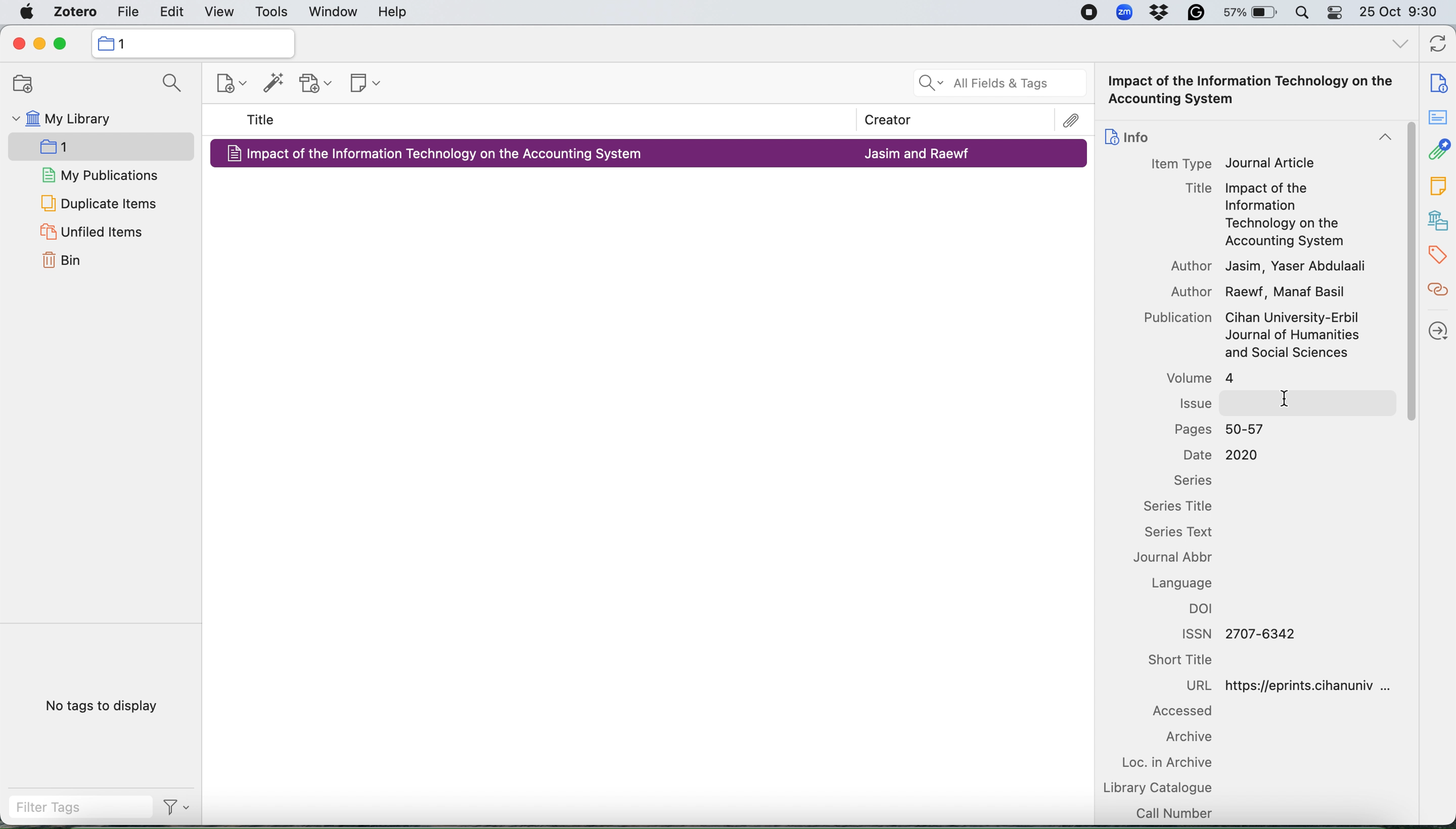 This screenshot has width=1456, height=829. Describe the element at coordinates (22, 84) in the screenshot. I see `add new collection` at that location.